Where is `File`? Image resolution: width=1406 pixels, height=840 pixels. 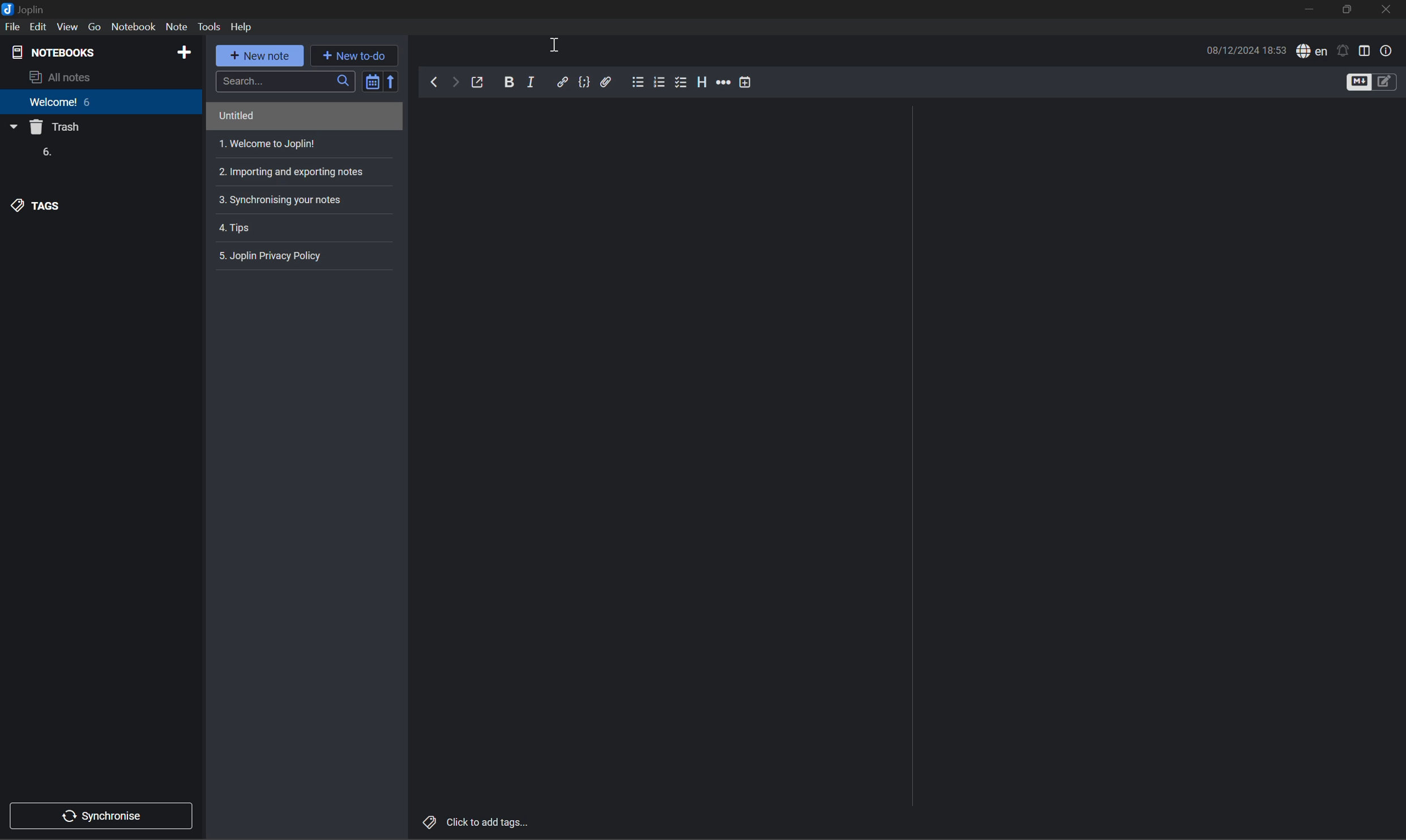 File is located at coordinates (12, 27).